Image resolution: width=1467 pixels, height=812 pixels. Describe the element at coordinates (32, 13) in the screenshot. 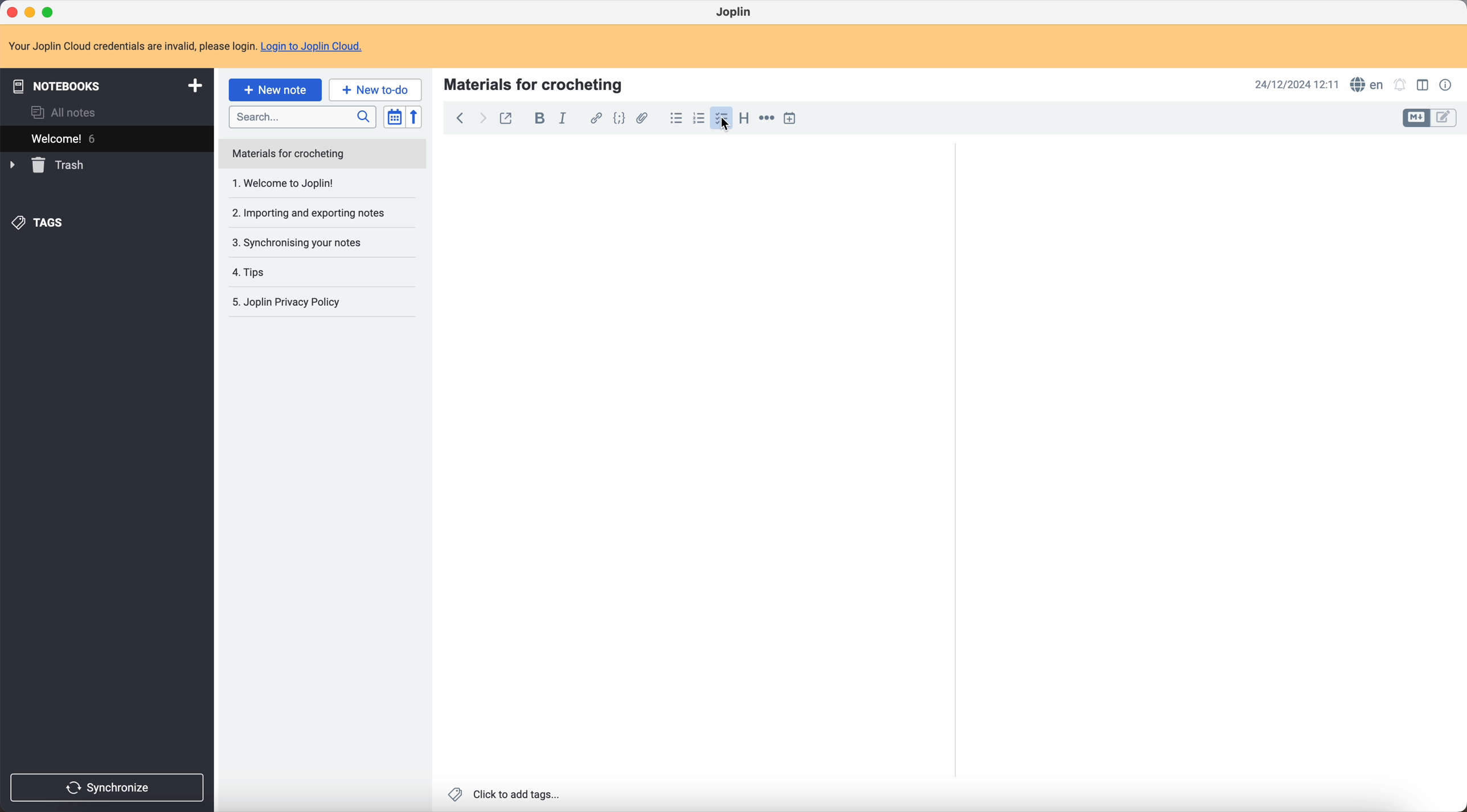

I see `minimize` at that location.